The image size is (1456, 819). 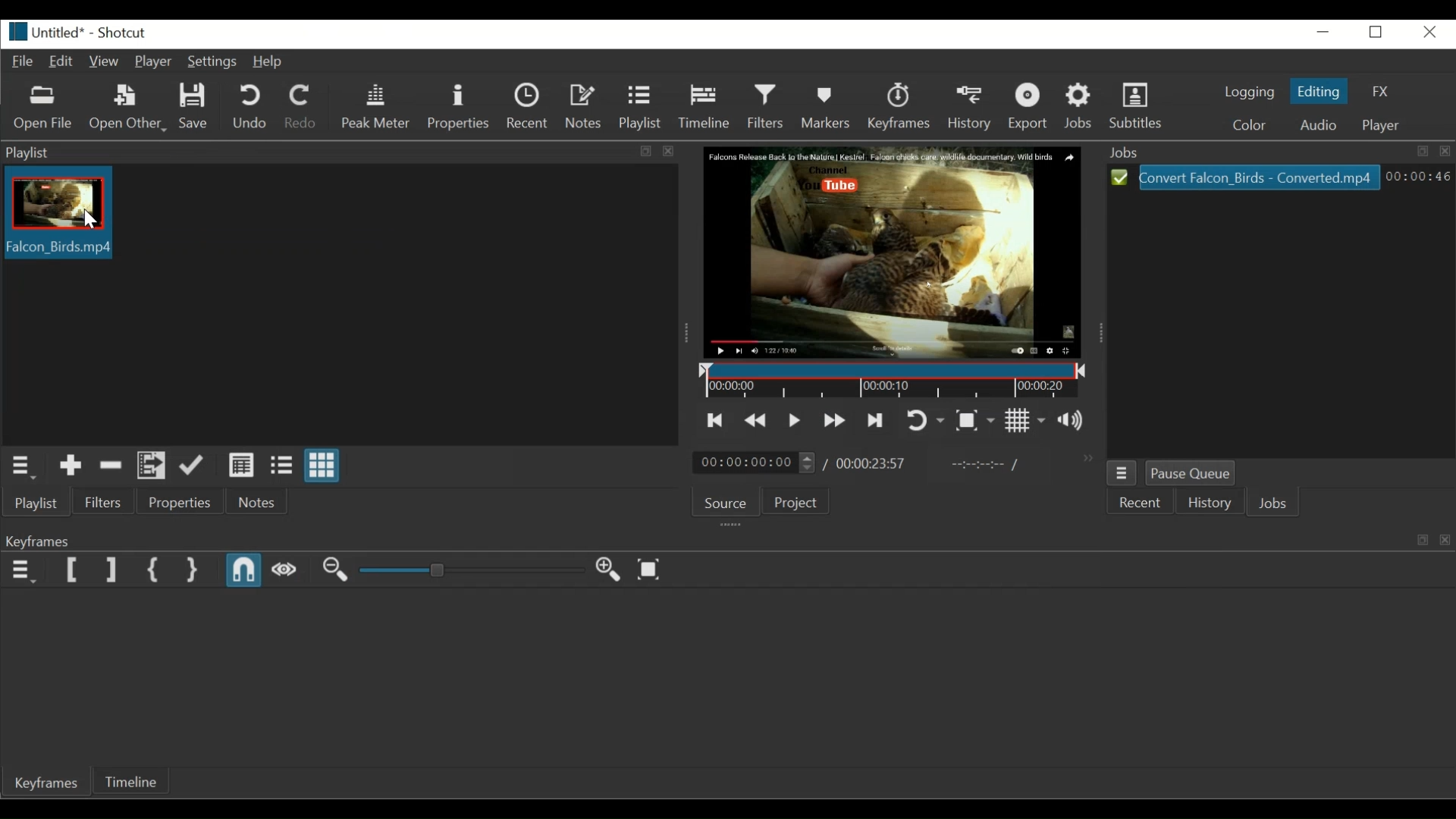 What do you see at coordinates (825, 108) in the screenshot?
I see `Marker` at bounding box center [825, 108].